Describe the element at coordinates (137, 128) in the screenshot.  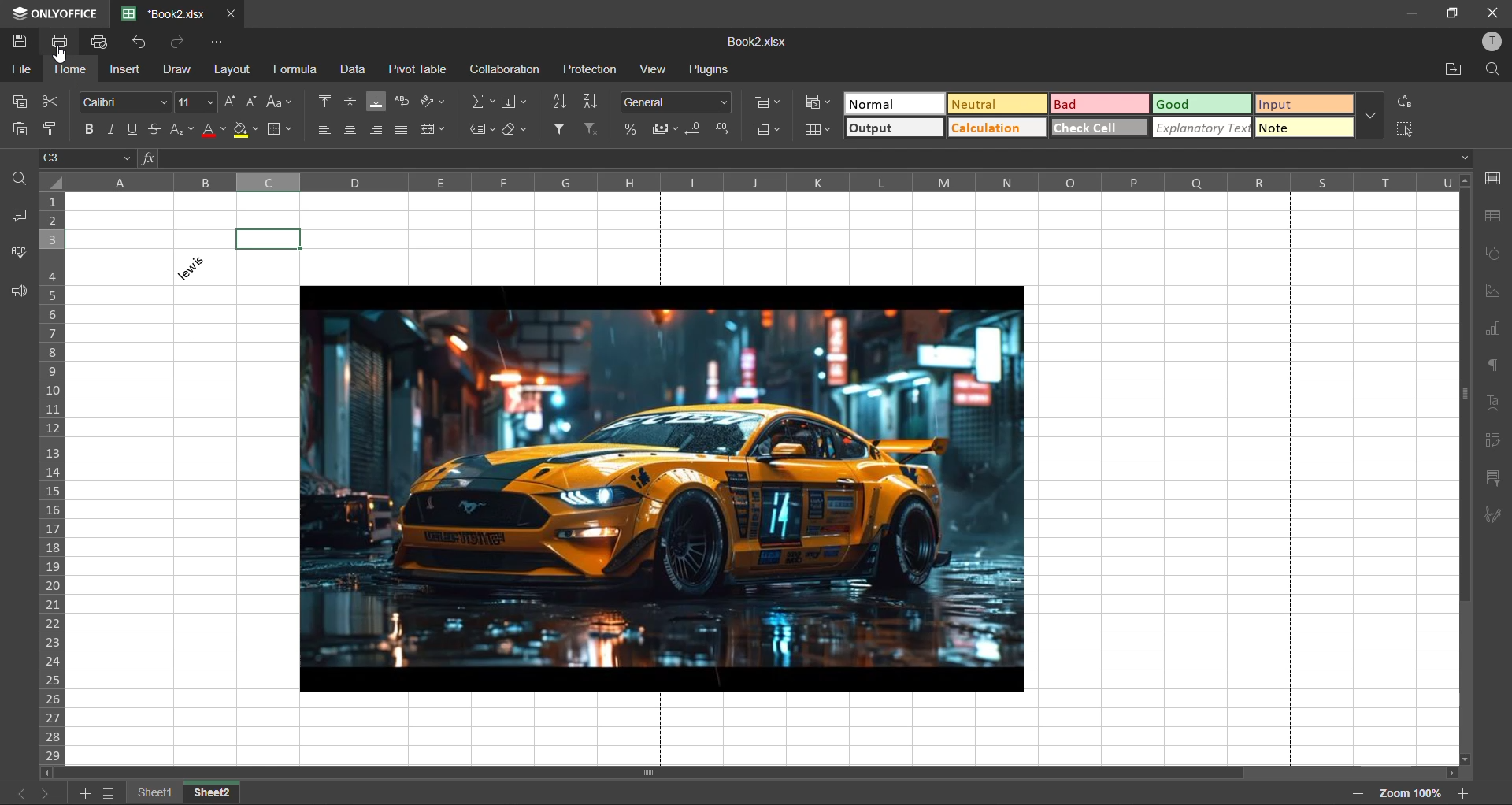
I see `underline` at that location.